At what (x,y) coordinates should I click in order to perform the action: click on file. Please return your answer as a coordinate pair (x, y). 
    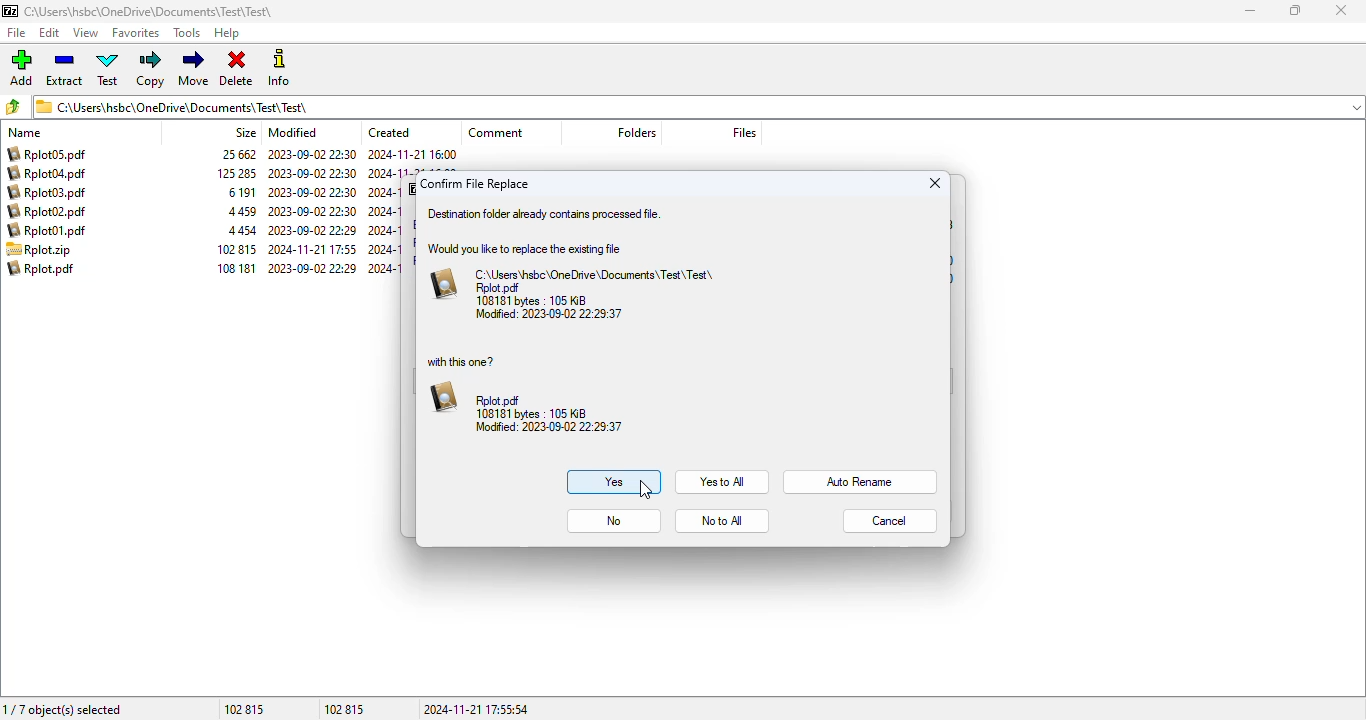
    Looking at the image, I should click on (17, 33).